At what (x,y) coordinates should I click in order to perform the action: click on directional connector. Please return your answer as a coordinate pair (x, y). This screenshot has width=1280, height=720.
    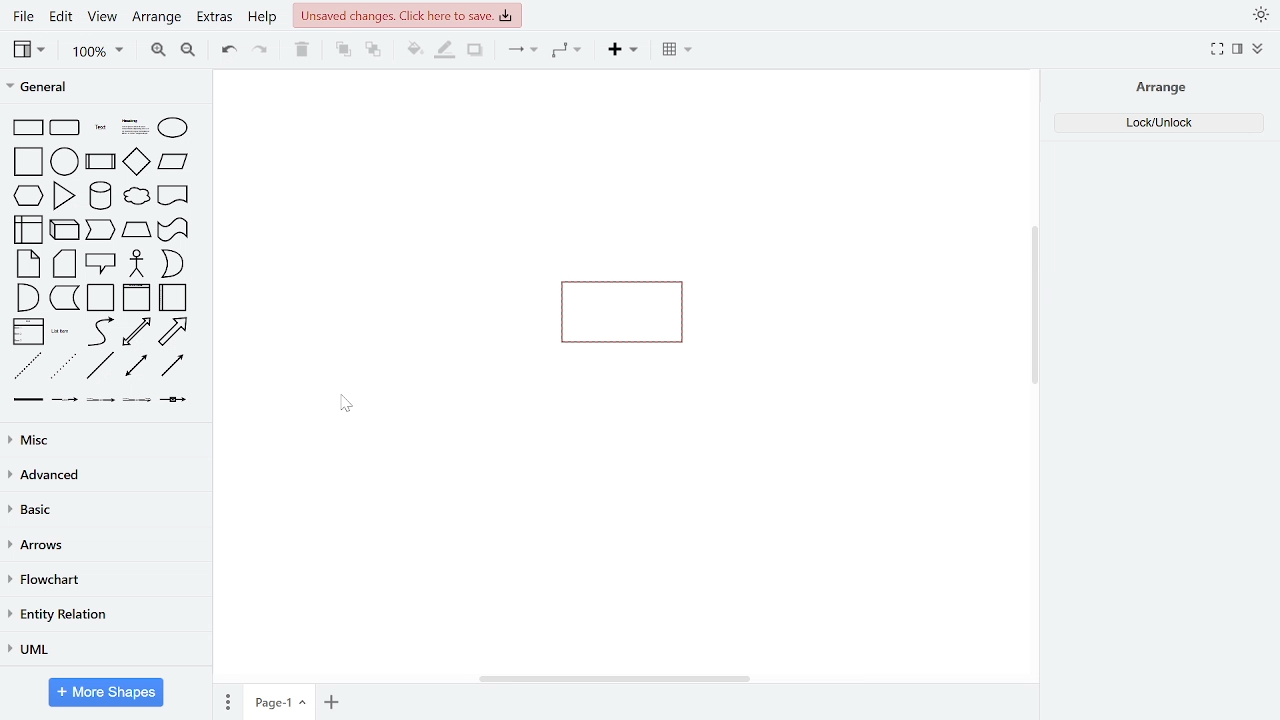
    Looking at the image, I should click on (170, 367).